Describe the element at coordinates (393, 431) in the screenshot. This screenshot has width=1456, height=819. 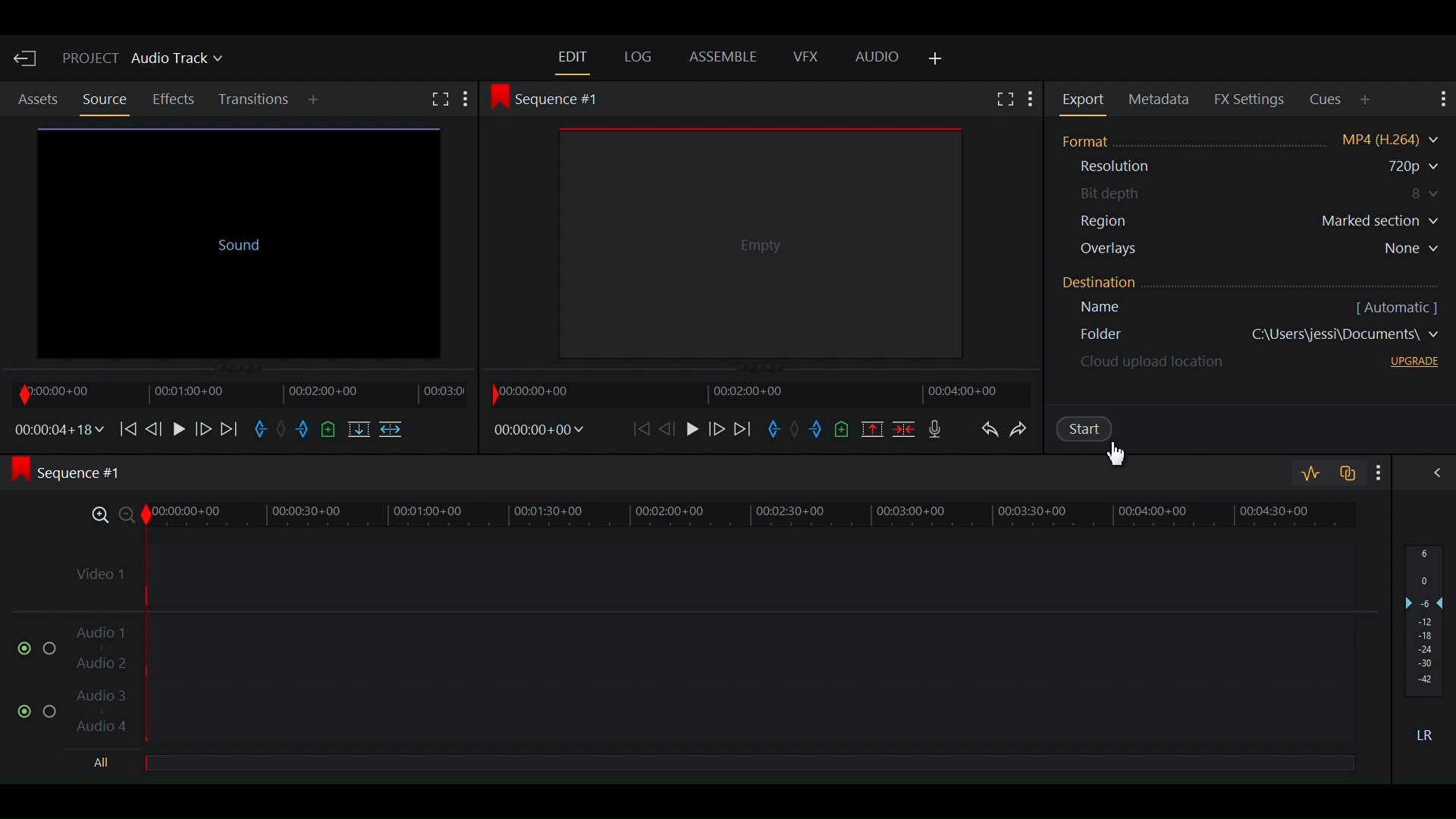
I see `Insert into the target sequence` at that location.